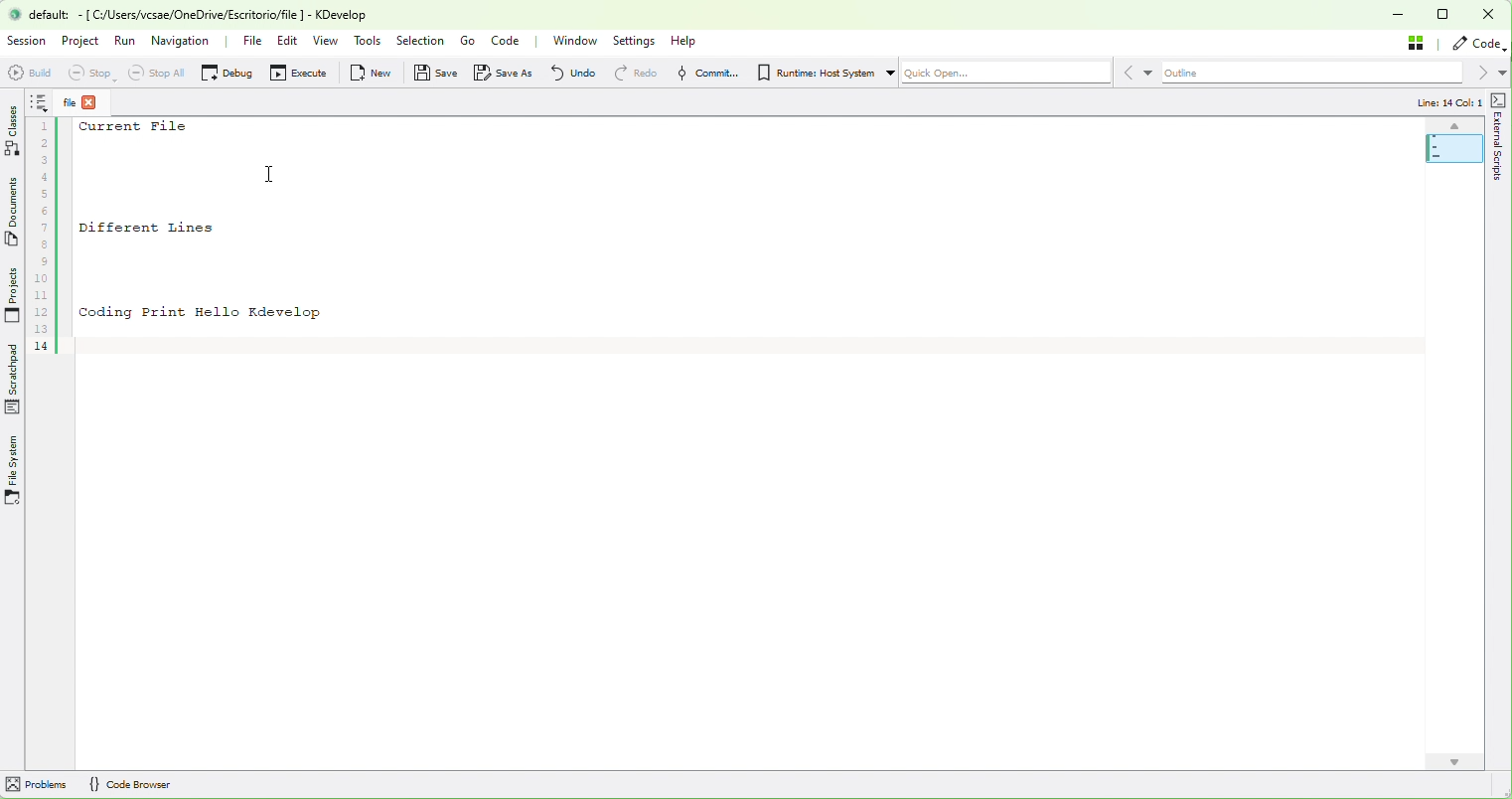 The image size is (1512, 799). I want to click on StopAll, so click(155, 74).